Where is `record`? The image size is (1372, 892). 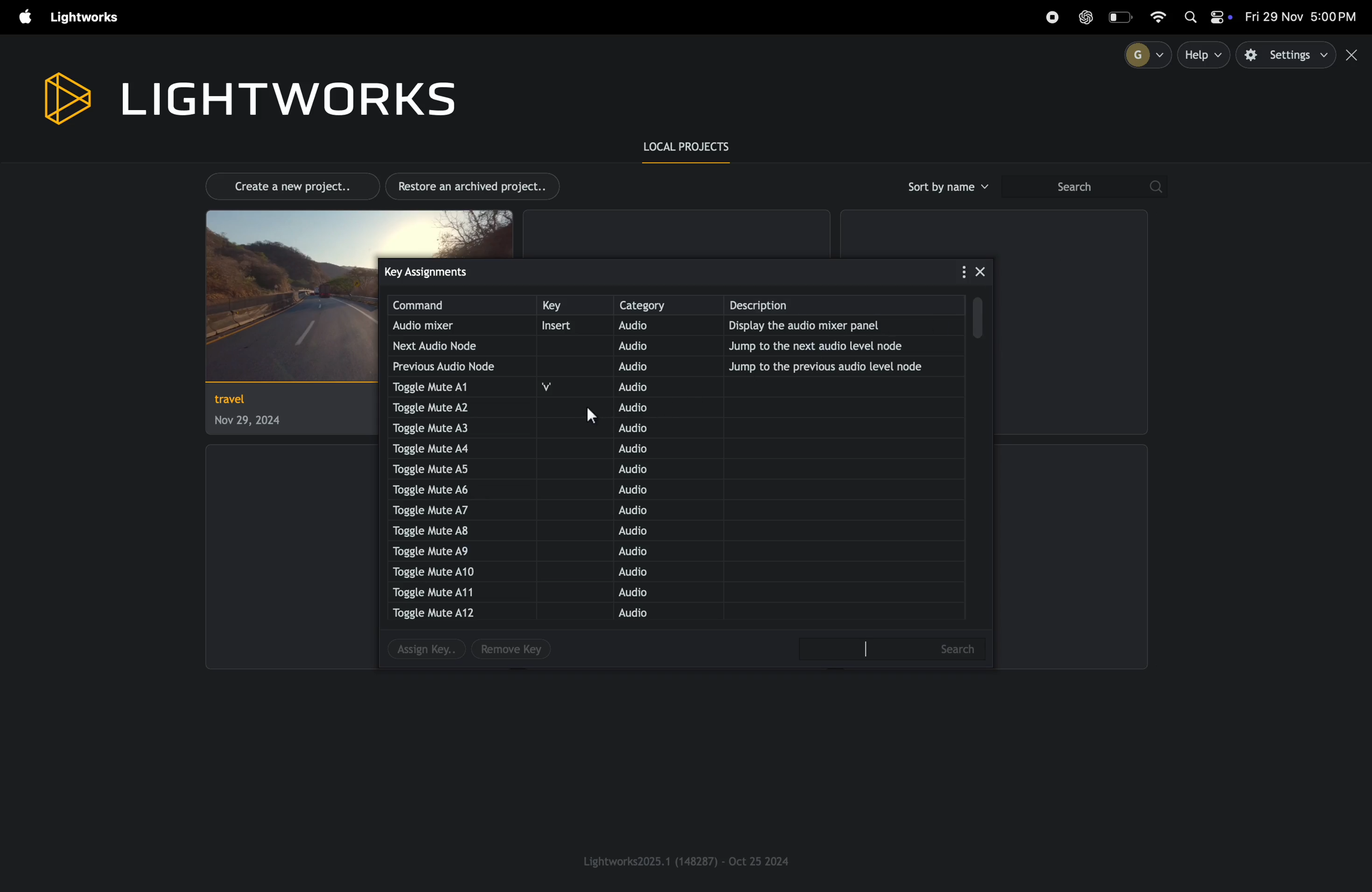
record is located at coordinates (1051, 17).